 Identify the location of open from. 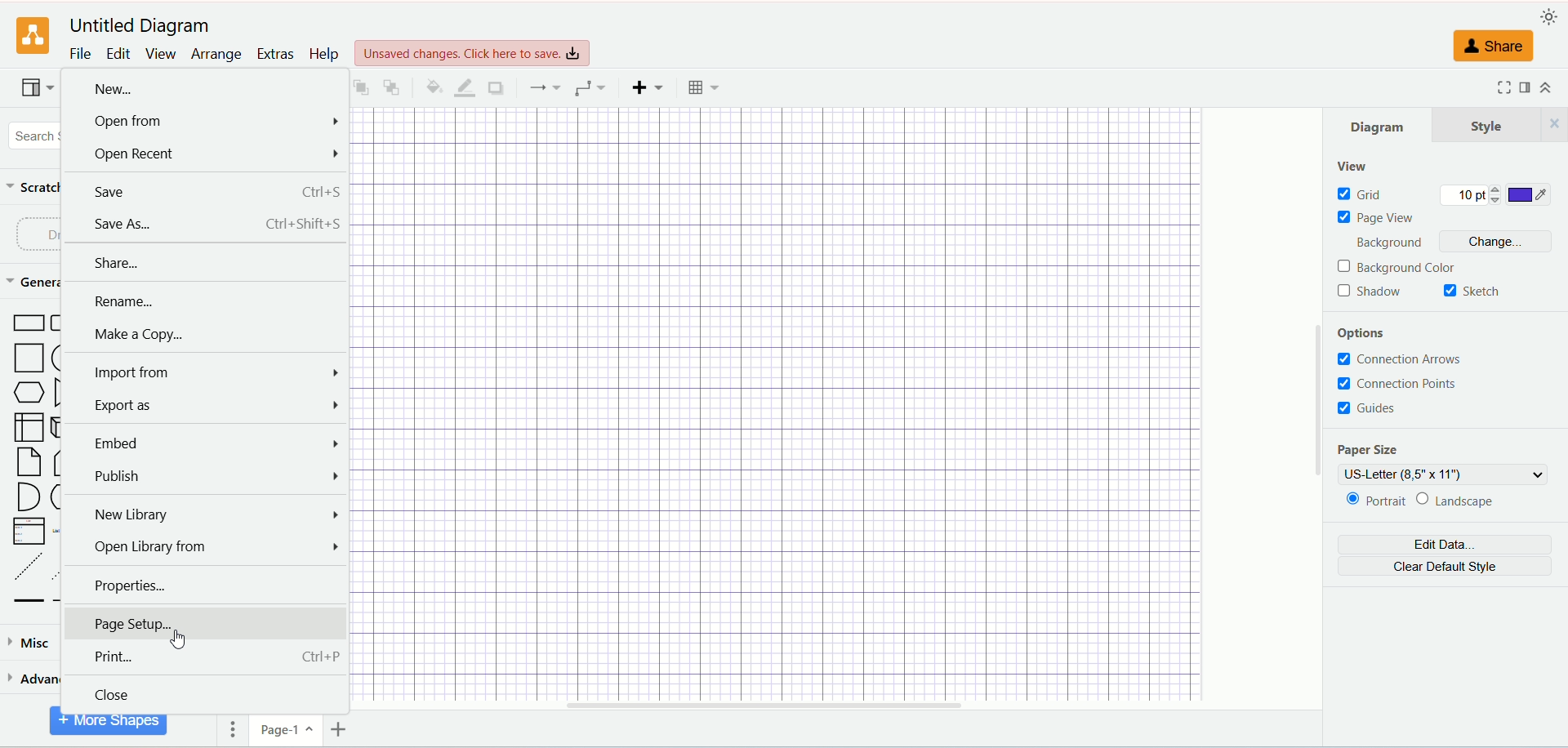
(203, 123).